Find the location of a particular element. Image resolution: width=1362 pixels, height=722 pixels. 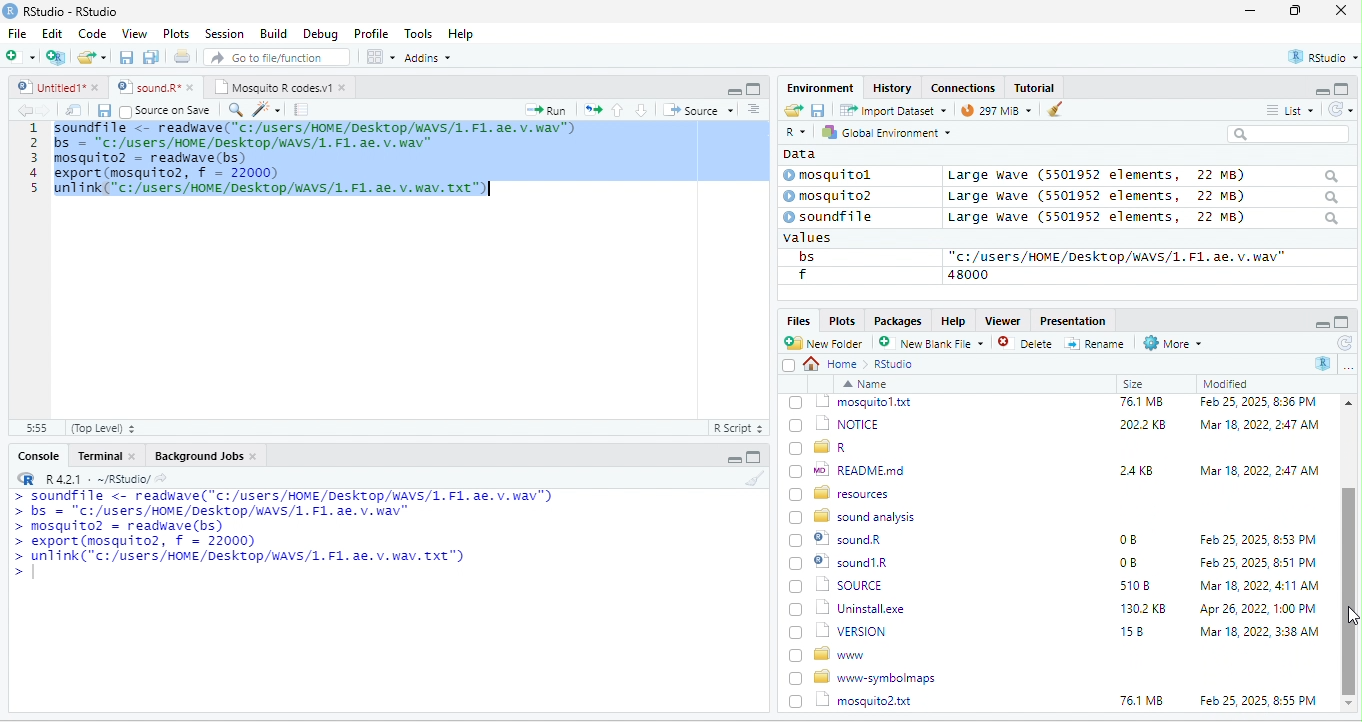

Packages is located at coordinates (901, 320).